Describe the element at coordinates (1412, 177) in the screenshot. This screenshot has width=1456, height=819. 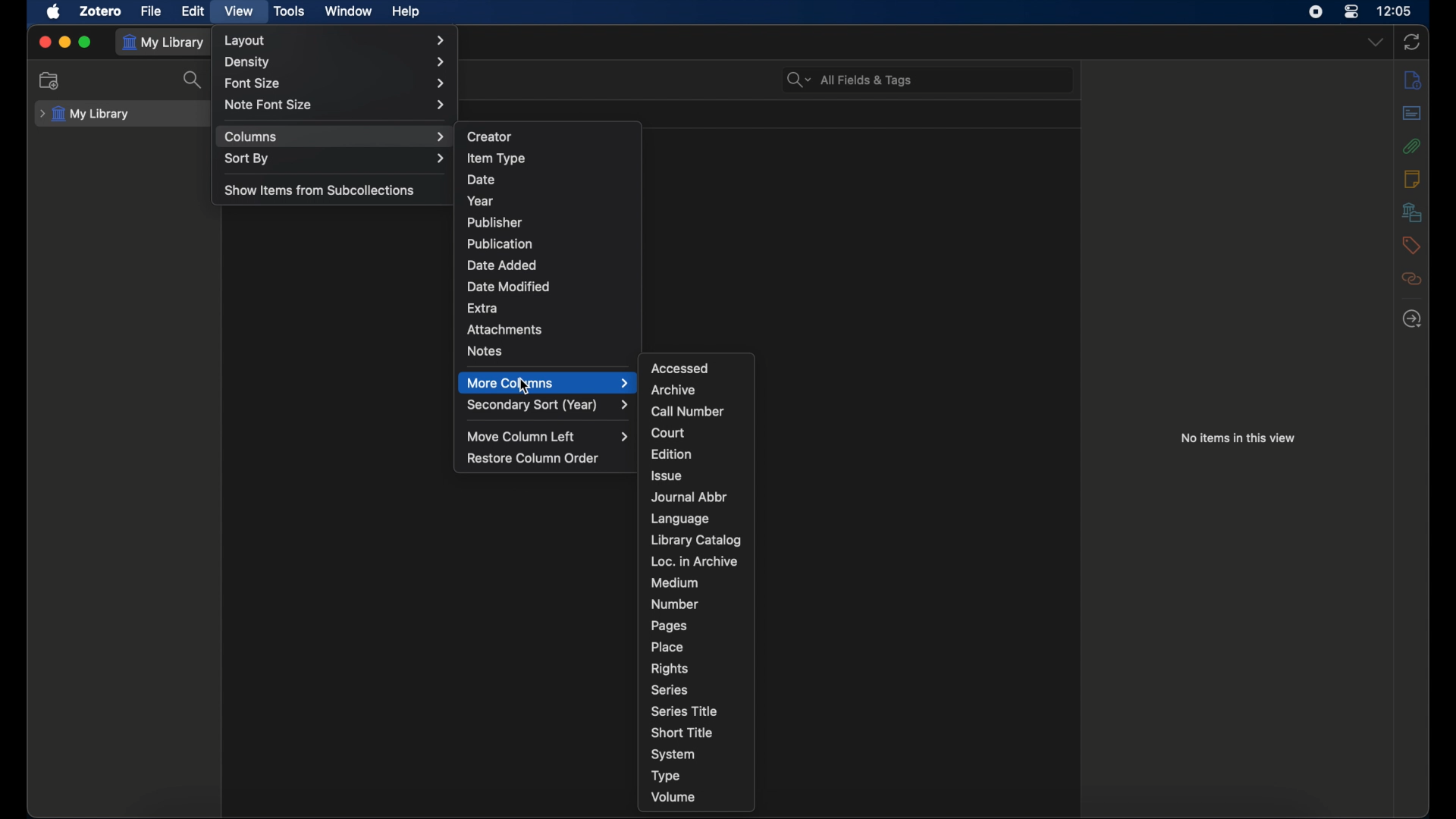
I see `notes` at that location.